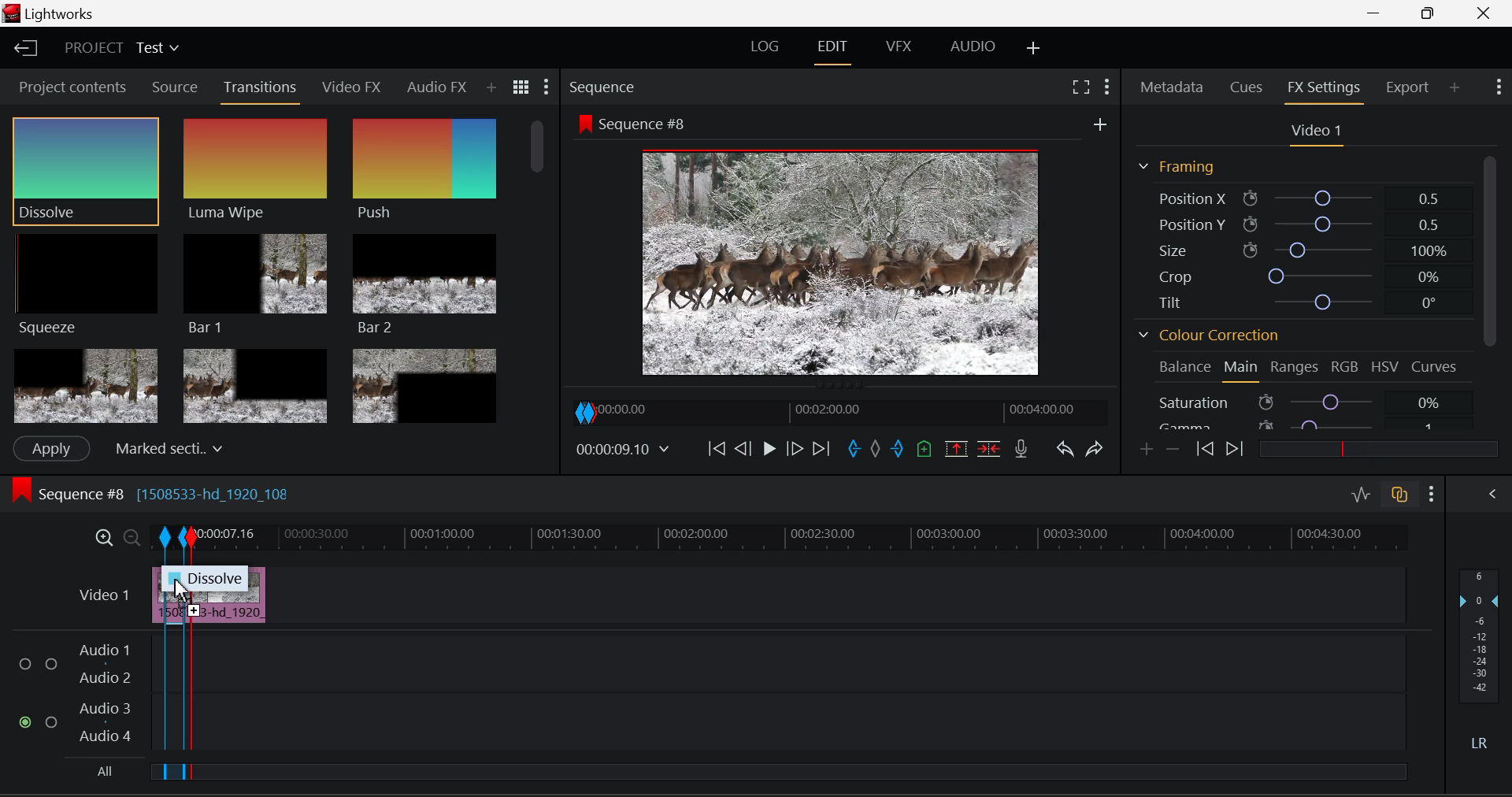 The height and width of the screenshot is (797, 1512). I want to click on Framing Section, so click(1185, 167).